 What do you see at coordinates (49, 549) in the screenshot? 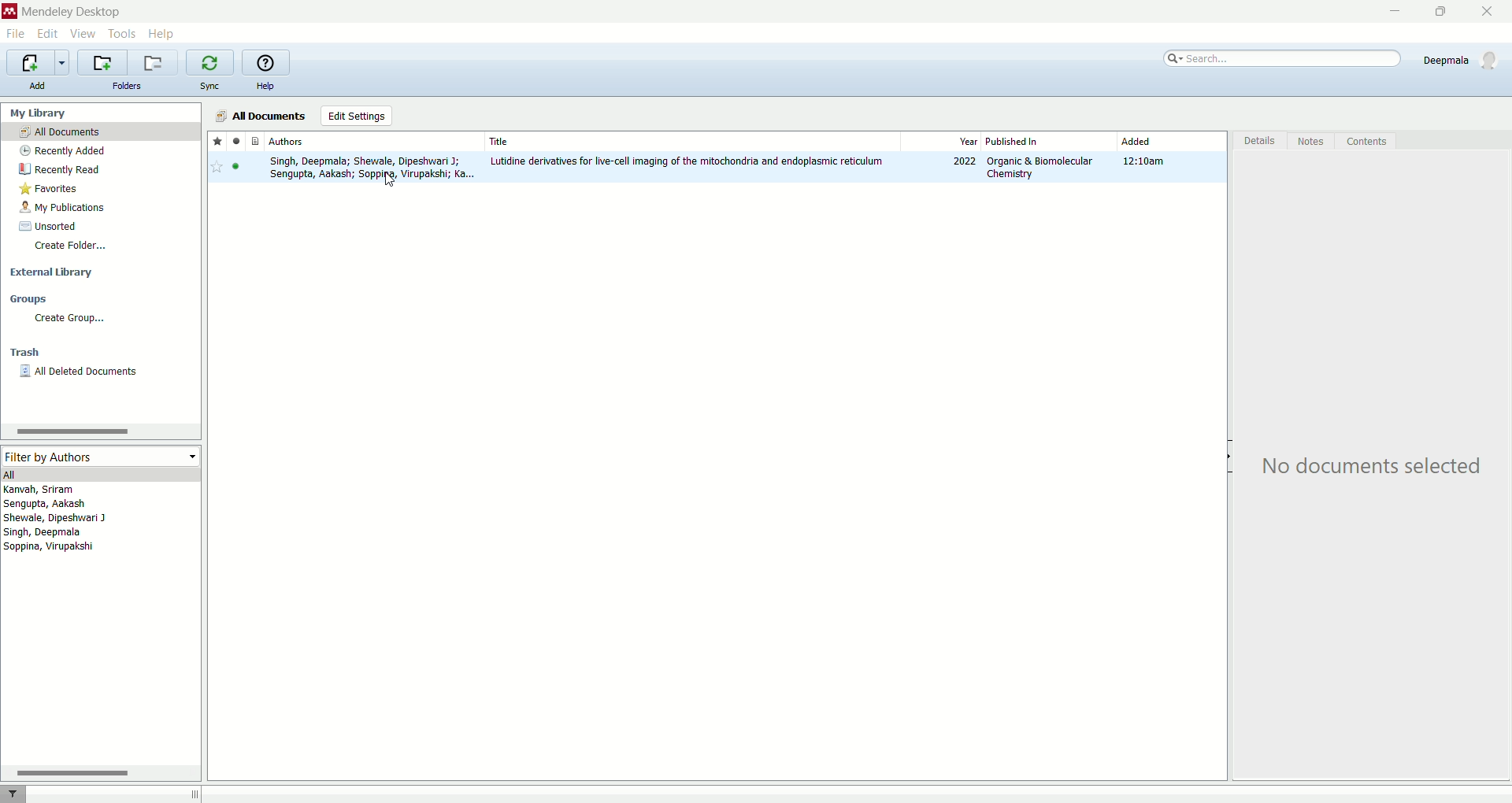
I see `Soppina, Virupakshi` at bounding box center [49, 549].